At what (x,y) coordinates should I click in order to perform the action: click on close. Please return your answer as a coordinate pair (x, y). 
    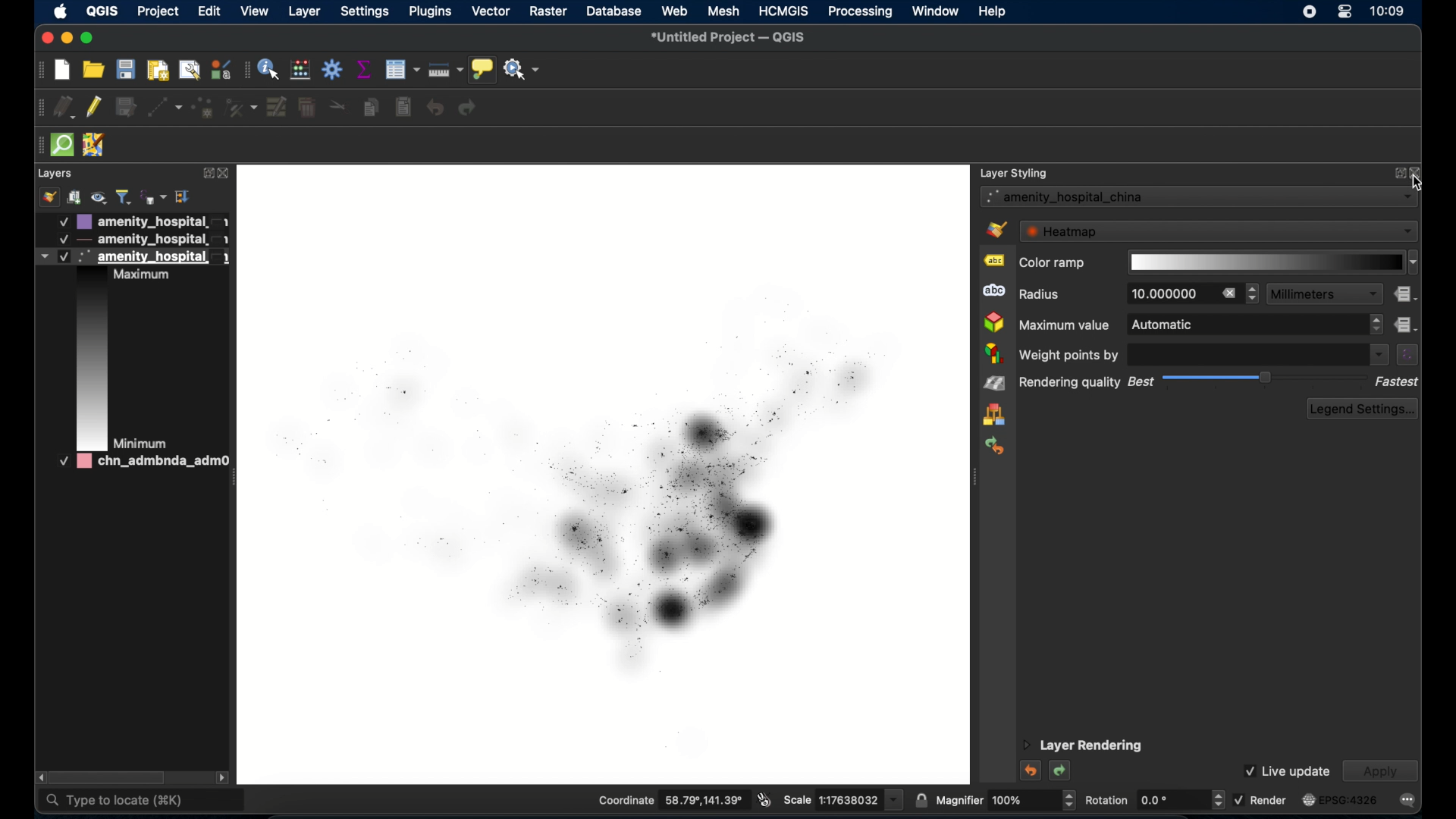
    Looking at the image, I should click on (225, 174).